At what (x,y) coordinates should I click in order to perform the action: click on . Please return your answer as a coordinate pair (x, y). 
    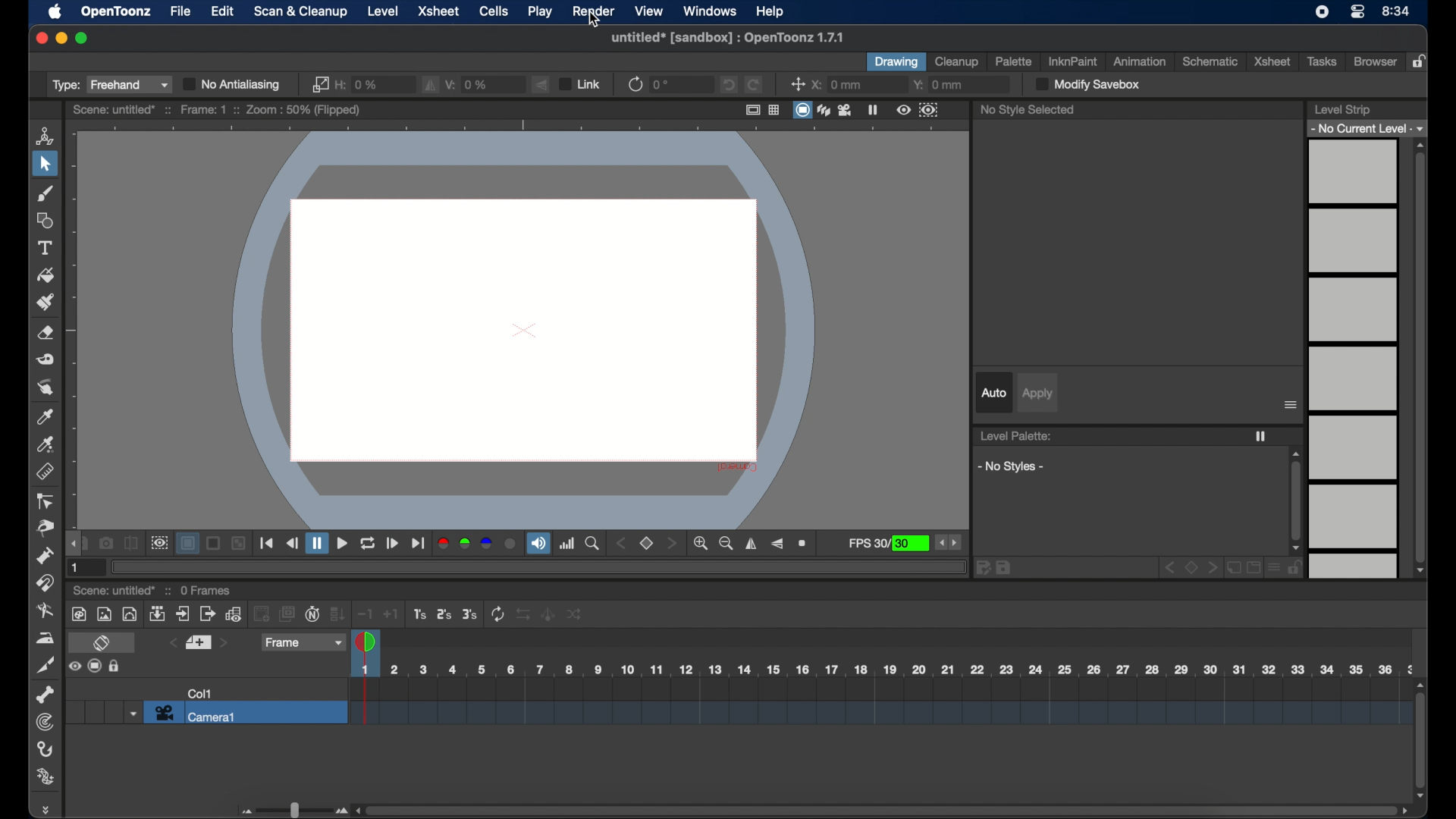
    Looking at the image, I should click on (526, 614).